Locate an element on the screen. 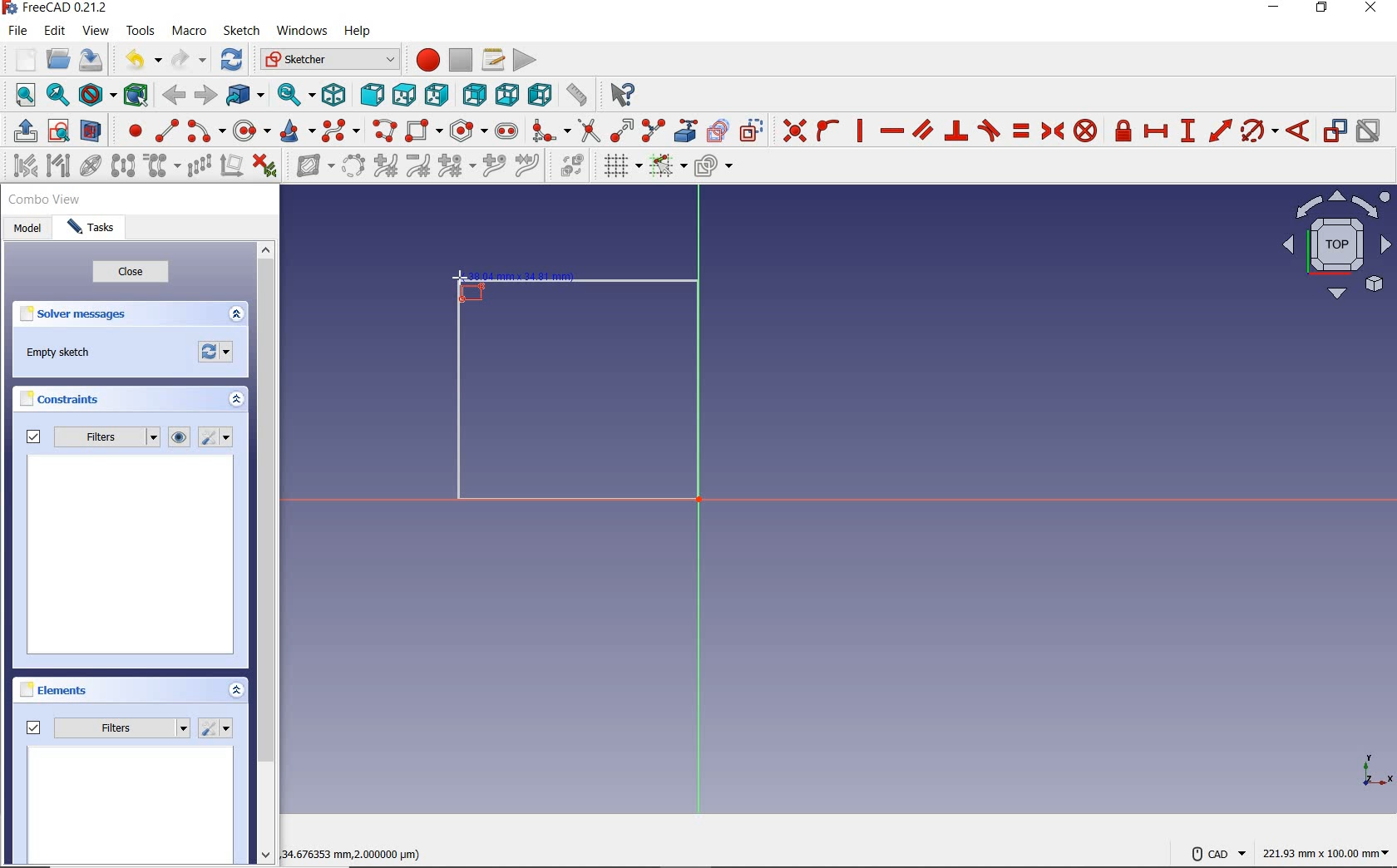 This screenshot has height=868, width=1397. filters is located at coordinates (91, 438).